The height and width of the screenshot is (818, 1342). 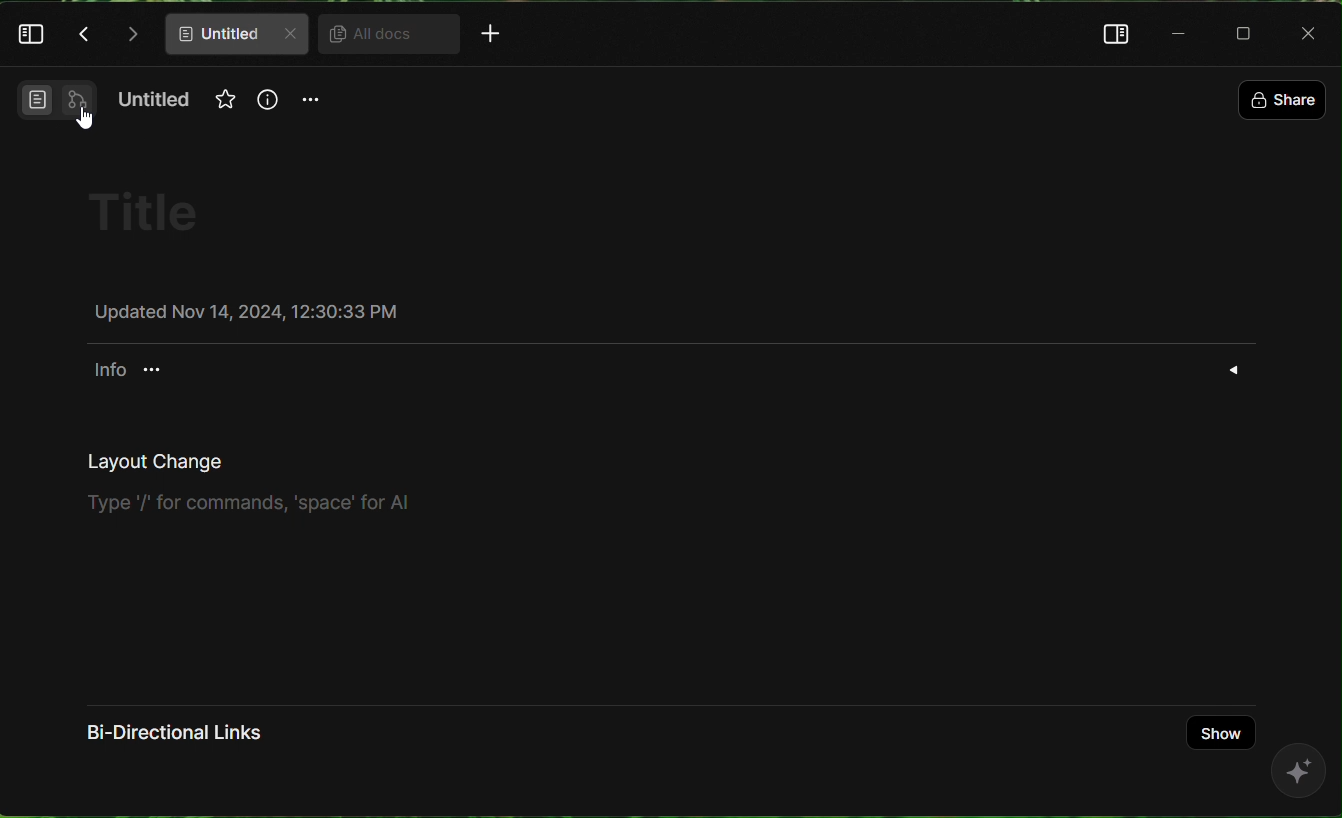 What do you see at coordinates (312, 106) in the screenshot?
I see `more` at bounding box center [312, 106].